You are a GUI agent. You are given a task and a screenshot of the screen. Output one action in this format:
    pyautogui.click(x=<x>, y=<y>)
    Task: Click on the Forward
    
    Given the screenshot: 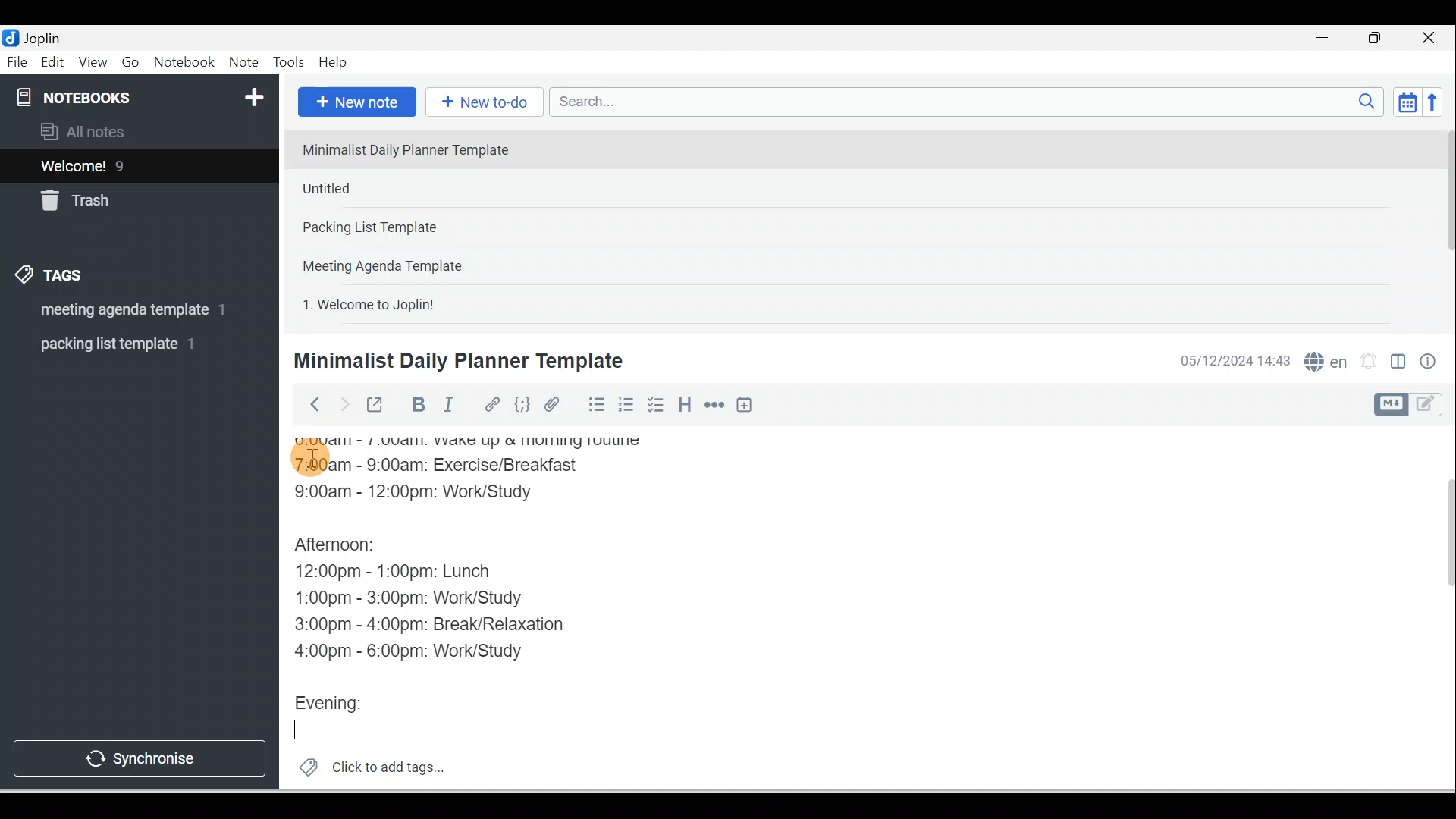 What is the action you would take?
    pyautogui.click(x=343, y=403)
    